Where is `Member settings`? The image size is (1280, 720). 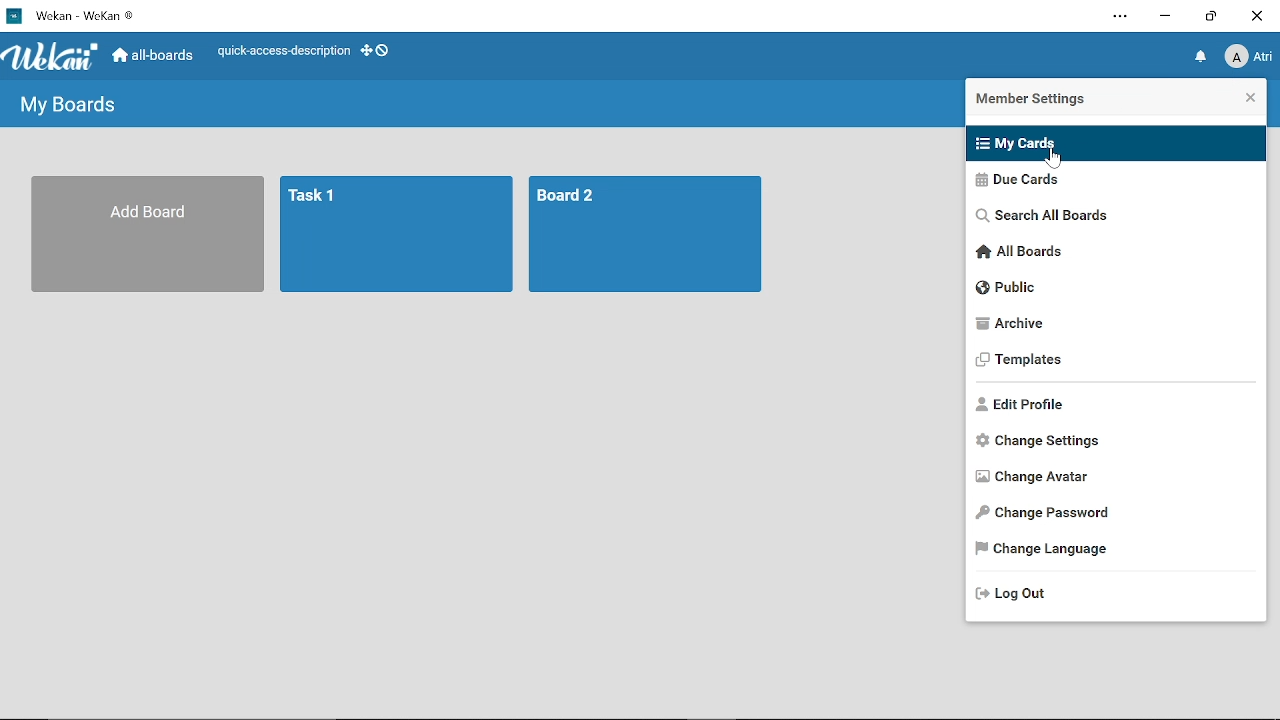
Member settings is located at coordinates (1062, 101).